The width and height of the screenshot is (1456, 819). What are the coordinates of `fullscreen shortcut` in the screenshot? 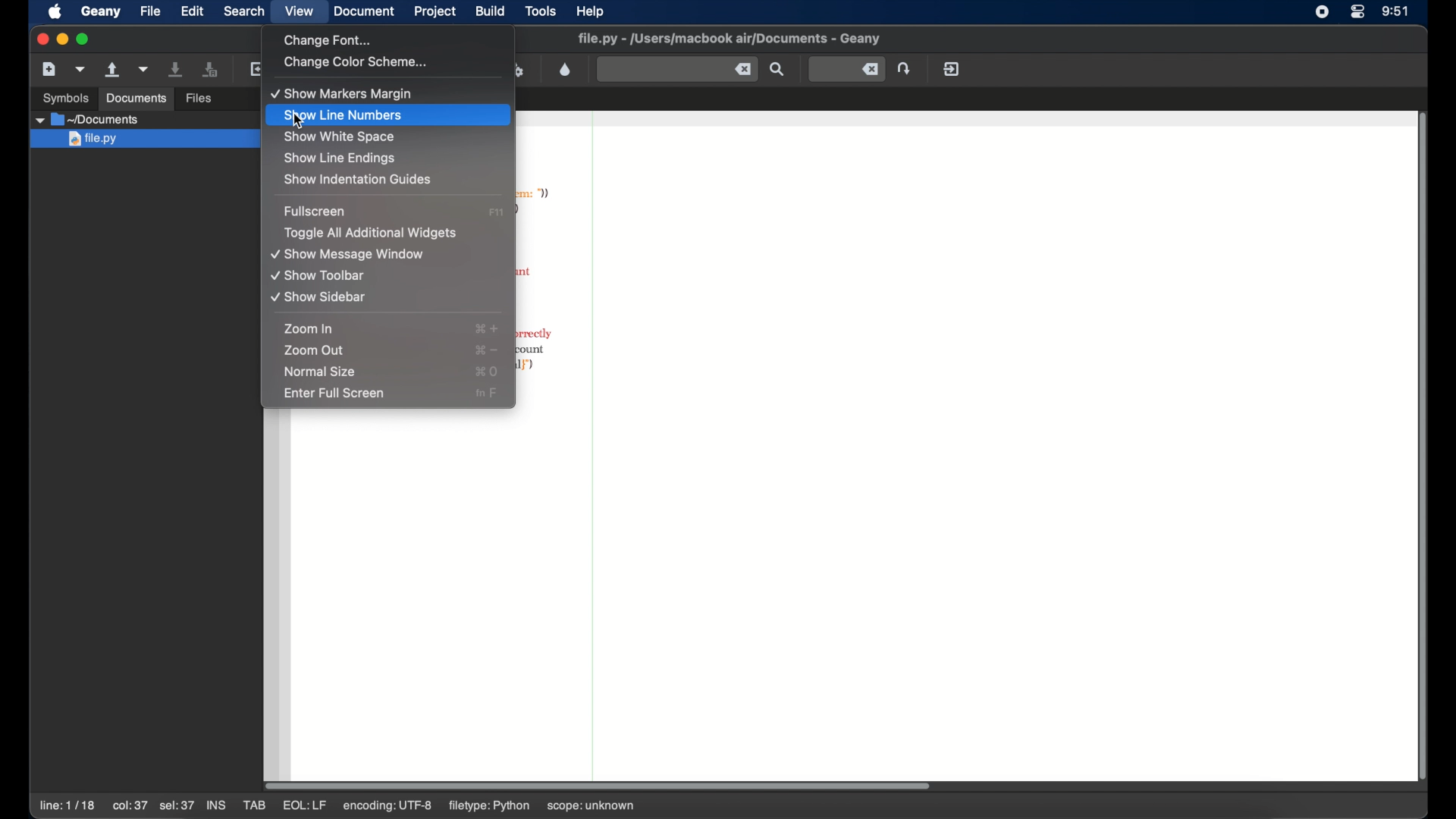 It's located at (497, 212).